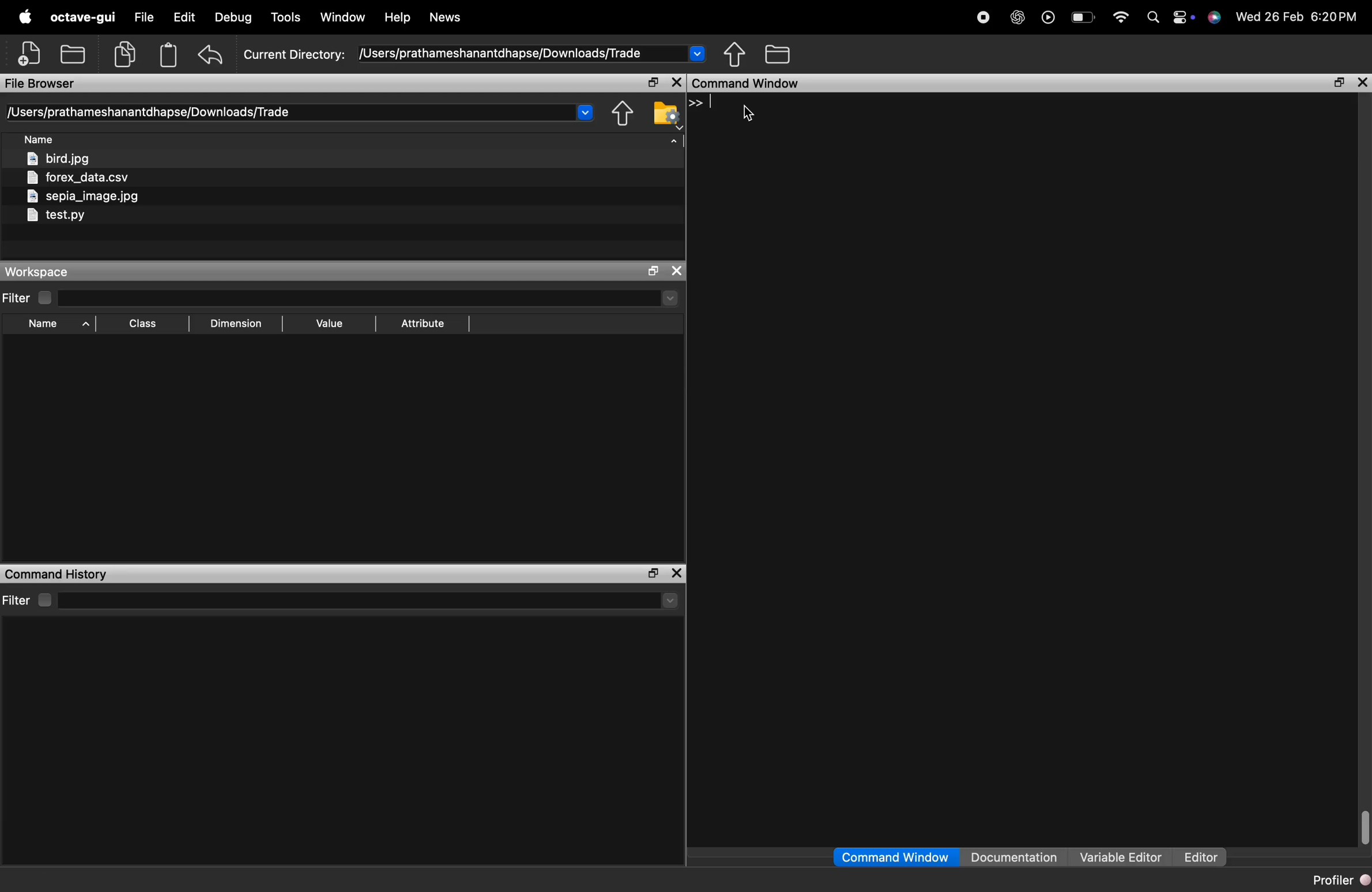  I want to click on forex_data.csv, so click(80, 179).